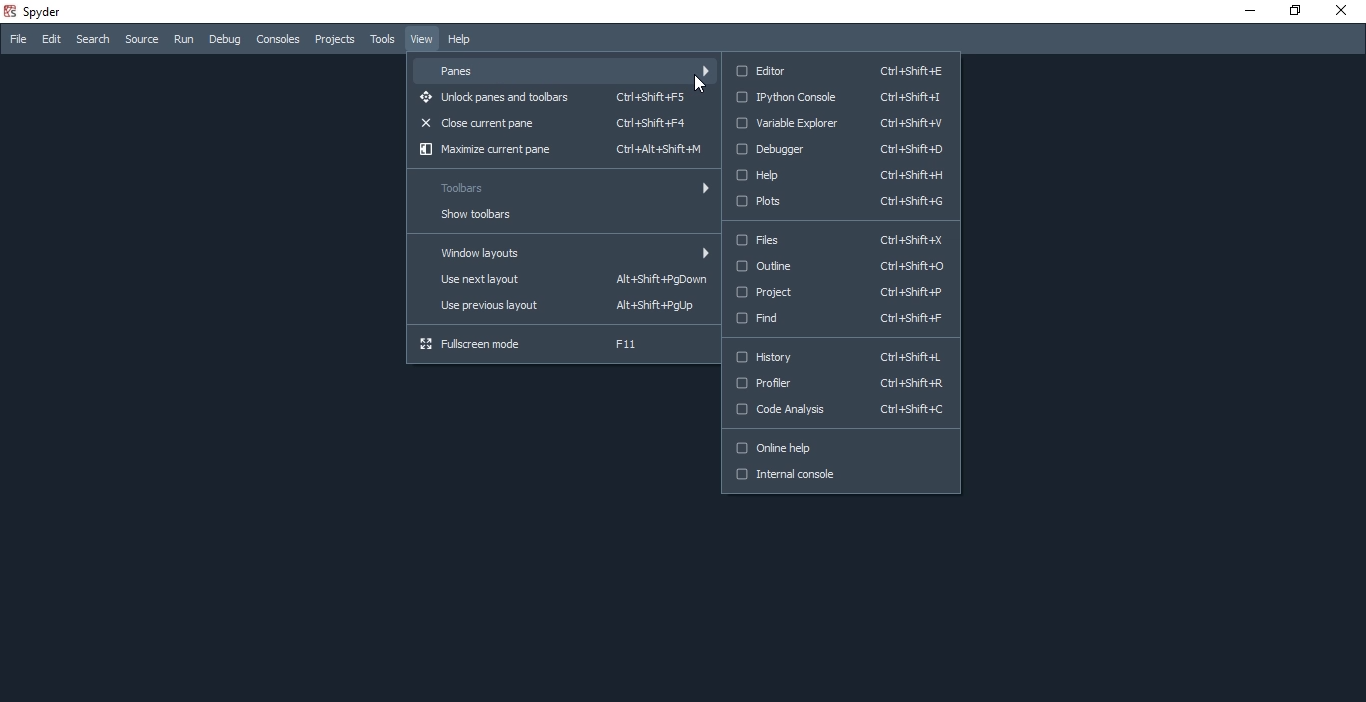 The height and width of the screenshot is (702, 1366). What do you see at coordinates (224, 40) in the screenshot?
I see `Debug` at bounding box center [224, 40].